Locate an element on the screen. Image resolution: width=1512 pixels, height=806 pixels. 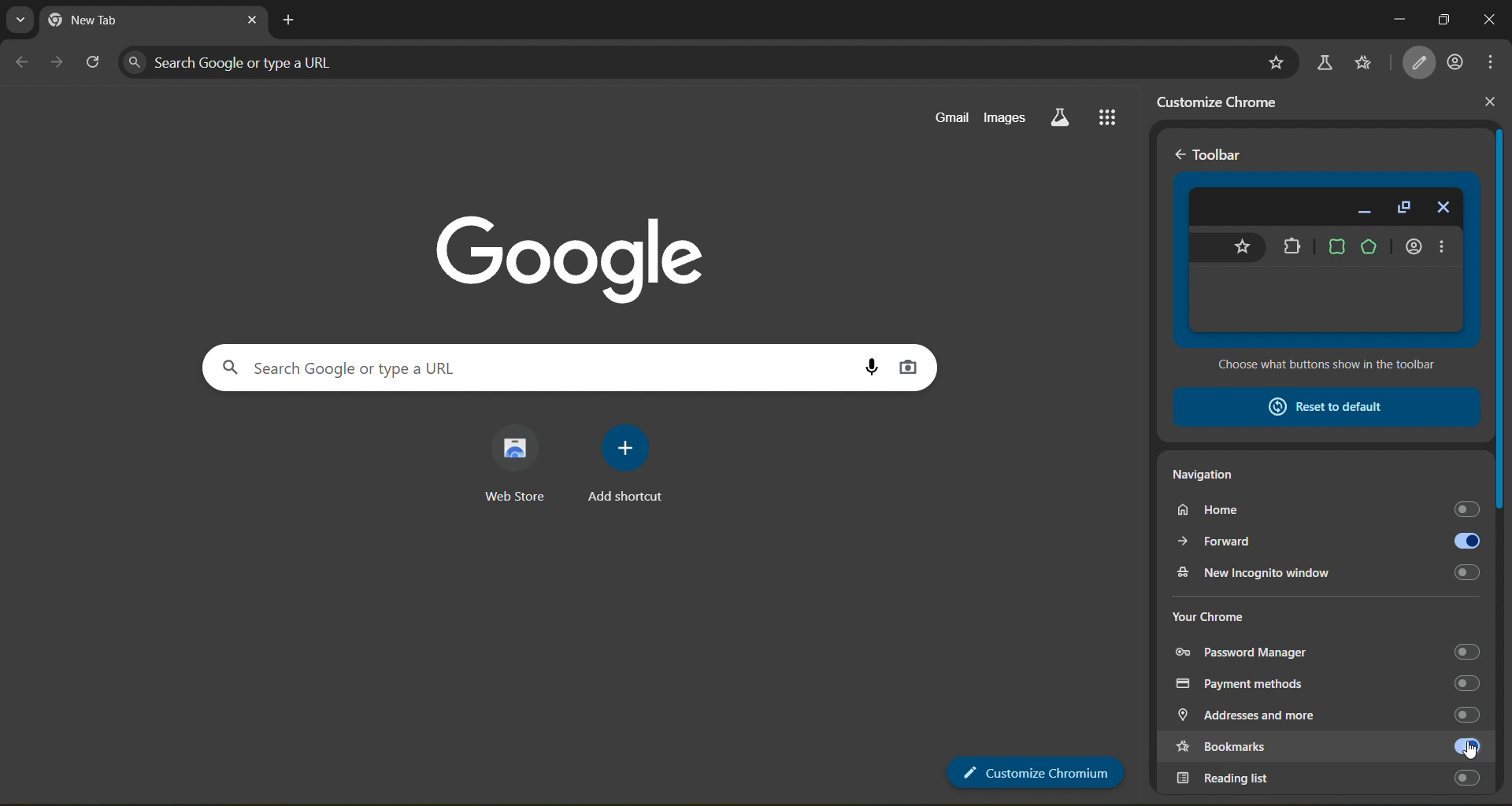
payment methods is located at coordinates (1331, 683).